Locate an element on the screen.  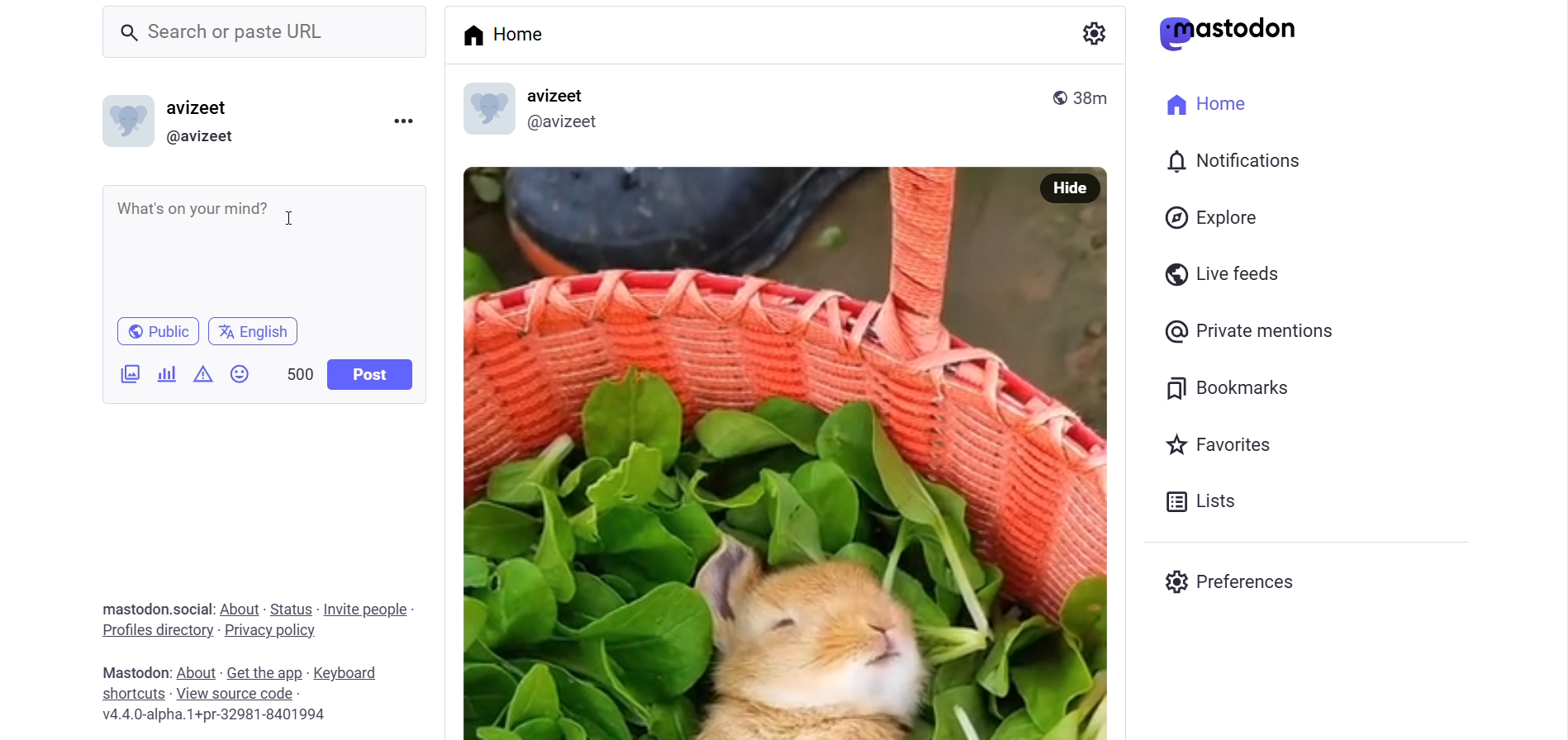
Keyboard is located at coordinates (352, 671).